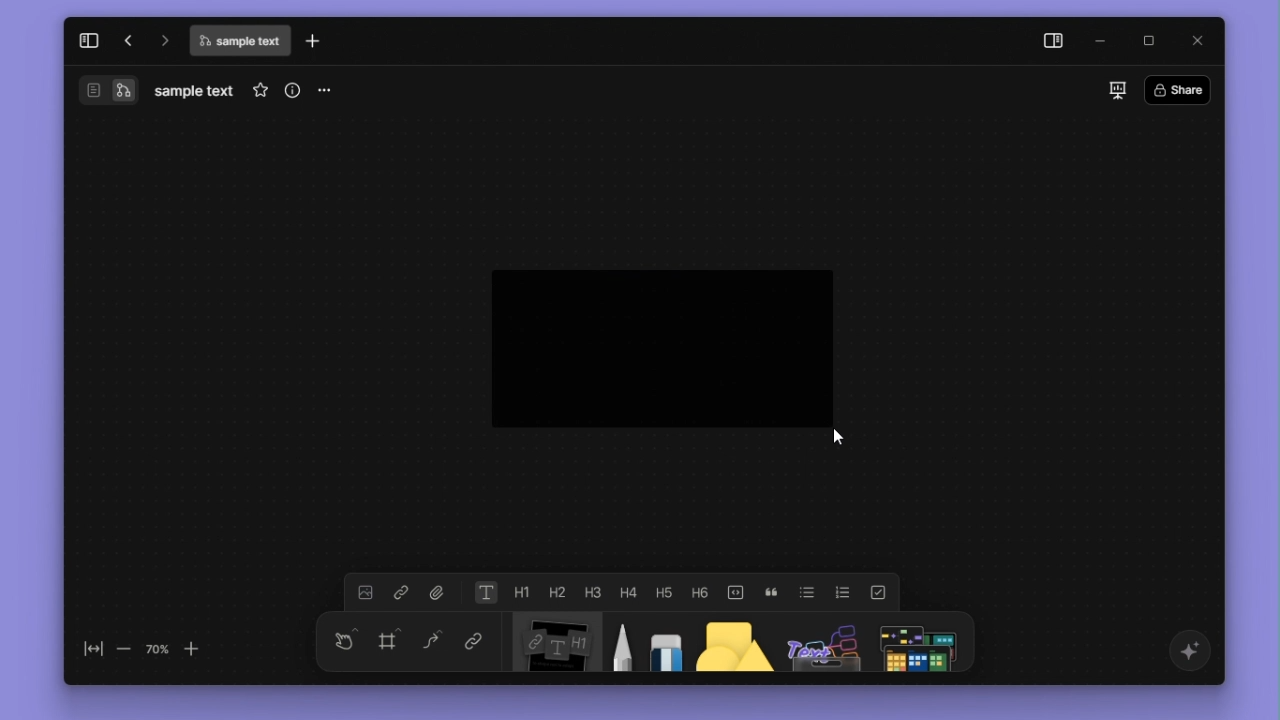 This screenshot has width=1280, height=720. I want to click on quote, so click(773, 591).